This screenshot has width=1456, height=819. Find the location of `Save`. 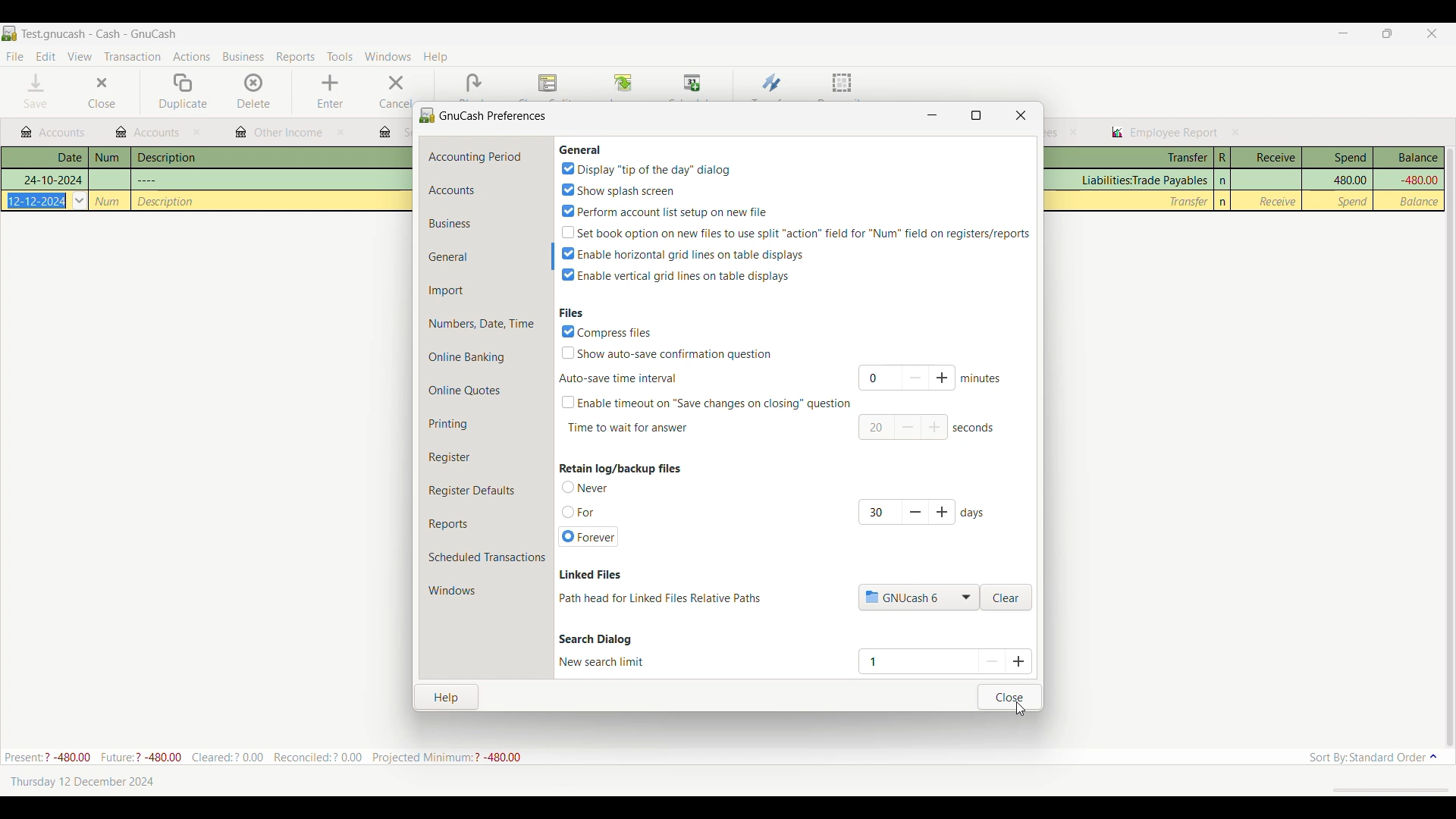

Save is located at coordinates (36, 90).